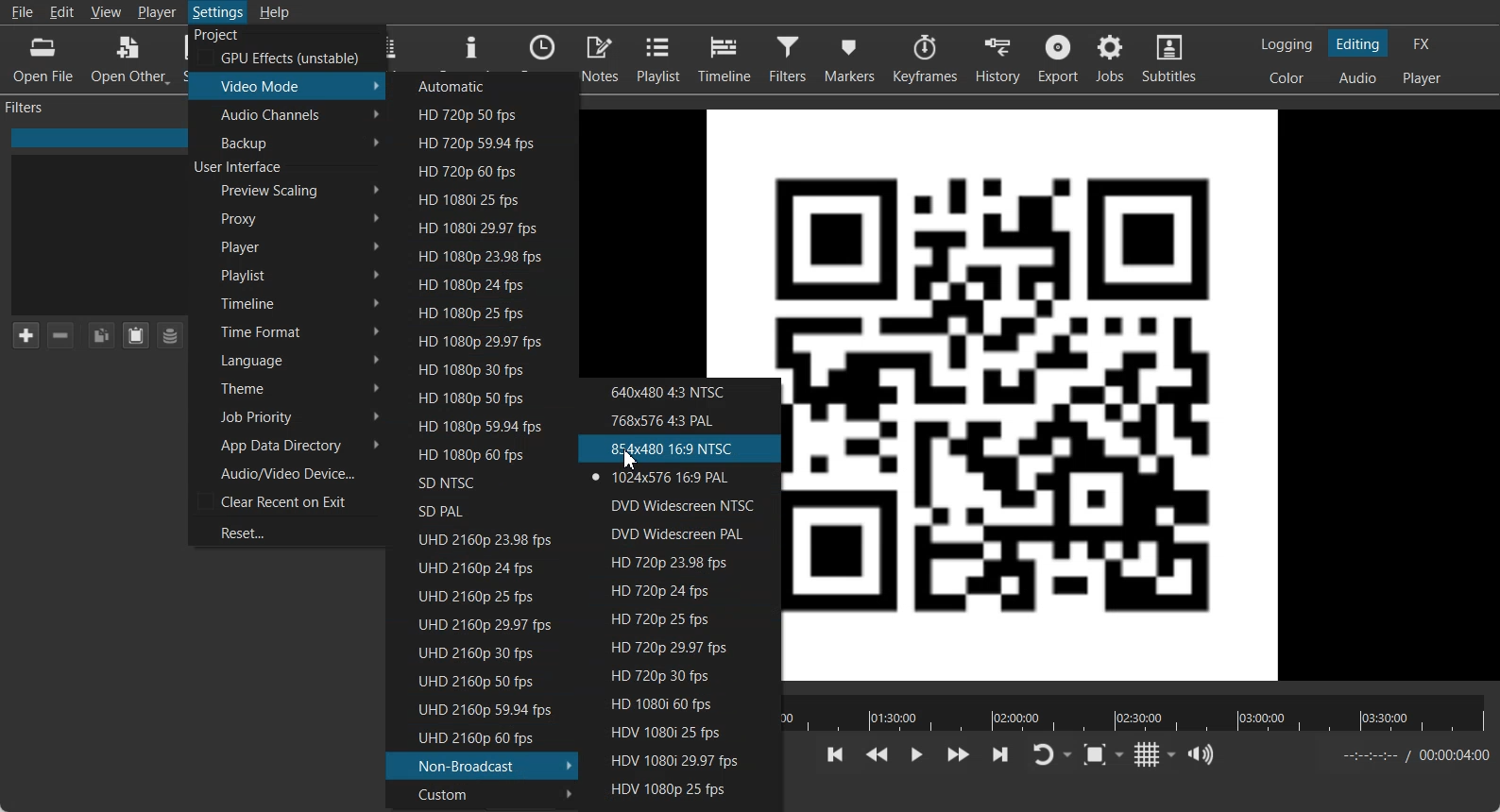  Describe the element at coordinates (1203, 754) in the screenshot. I see `Show the volume control` at that location.